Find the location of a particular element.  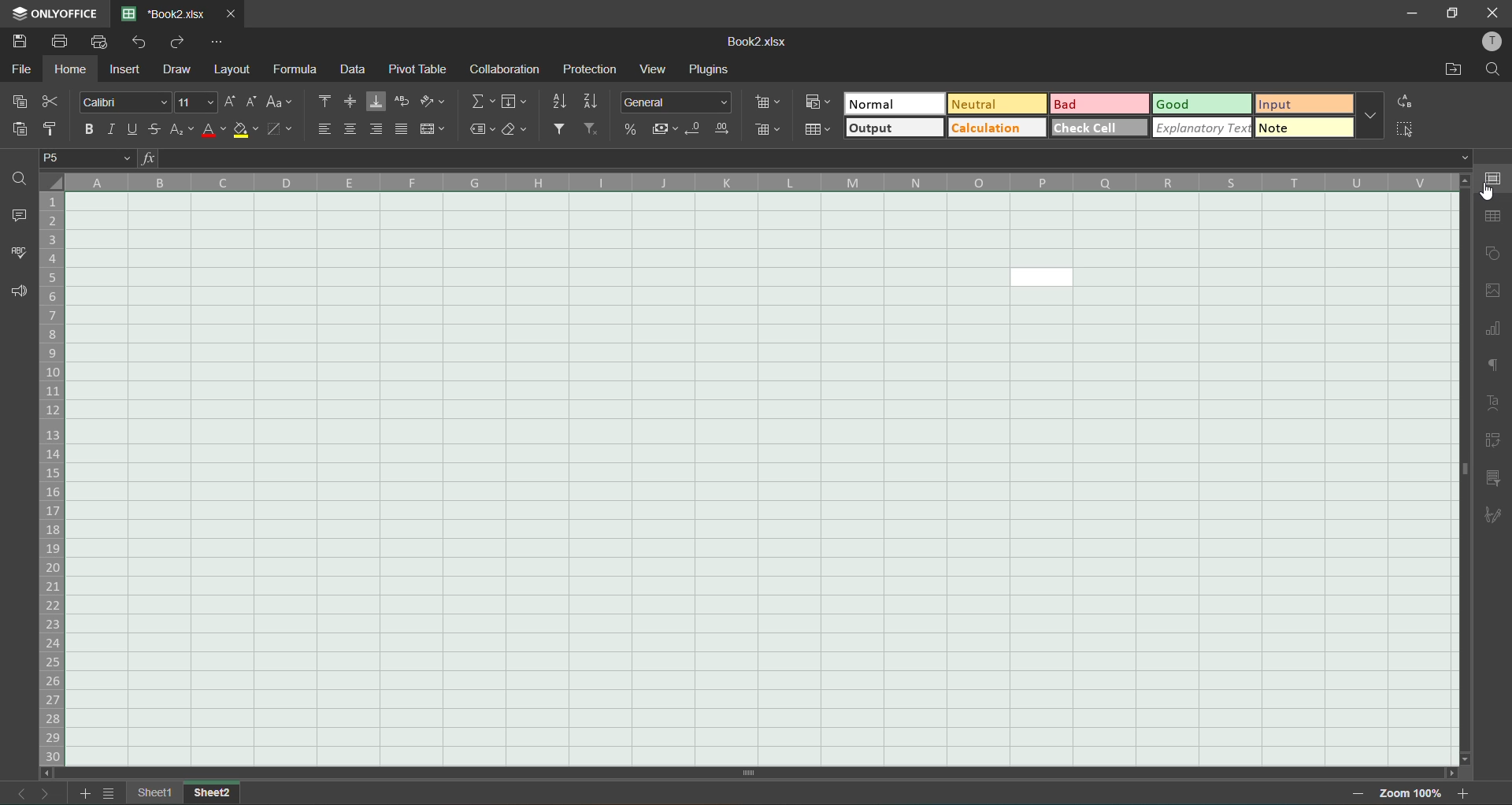

bad is located at coordinates (1102, 104).